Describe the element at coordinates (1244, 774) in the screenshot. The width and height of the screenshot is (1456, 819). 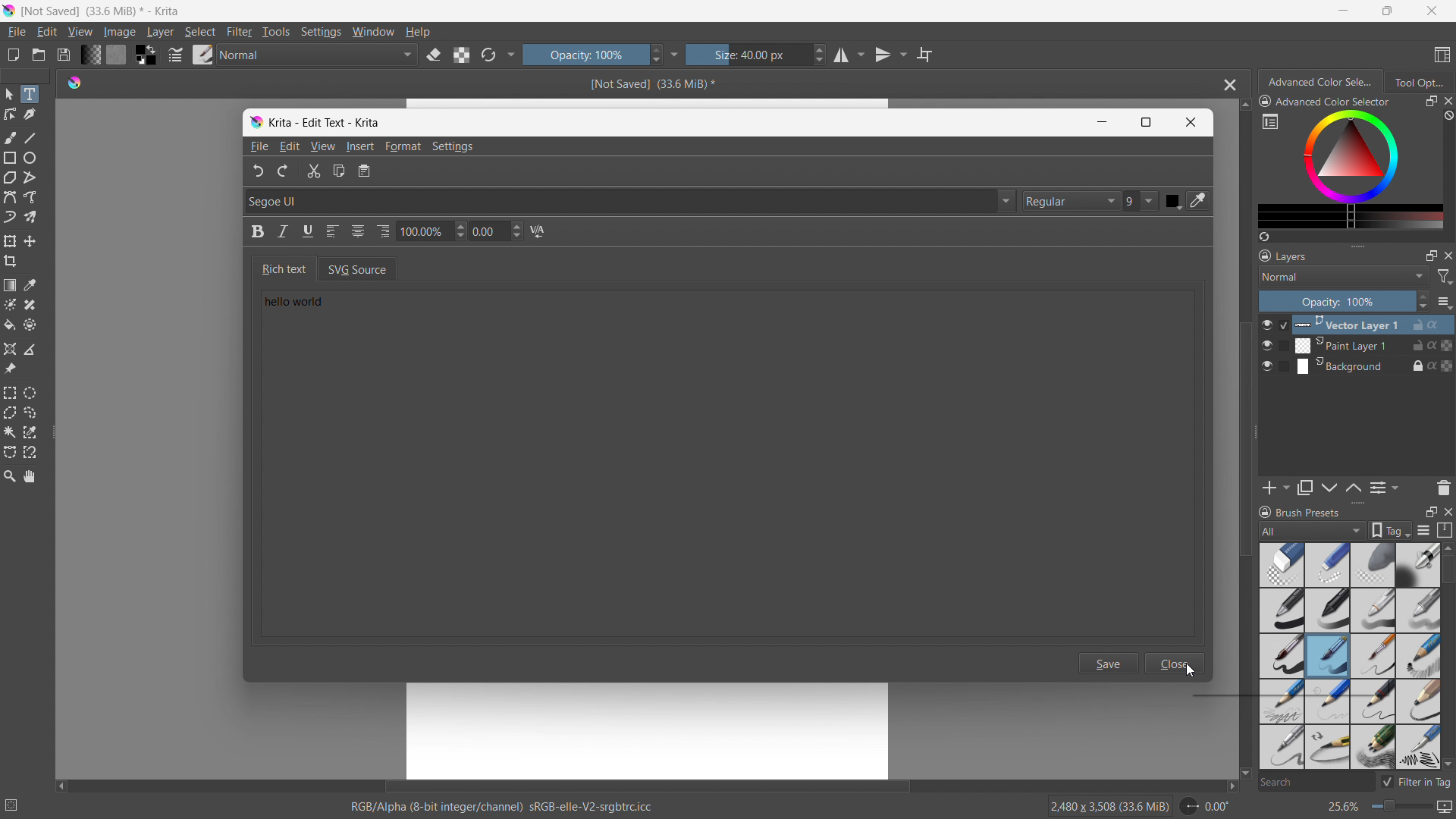
I see `scroll down` at that location.